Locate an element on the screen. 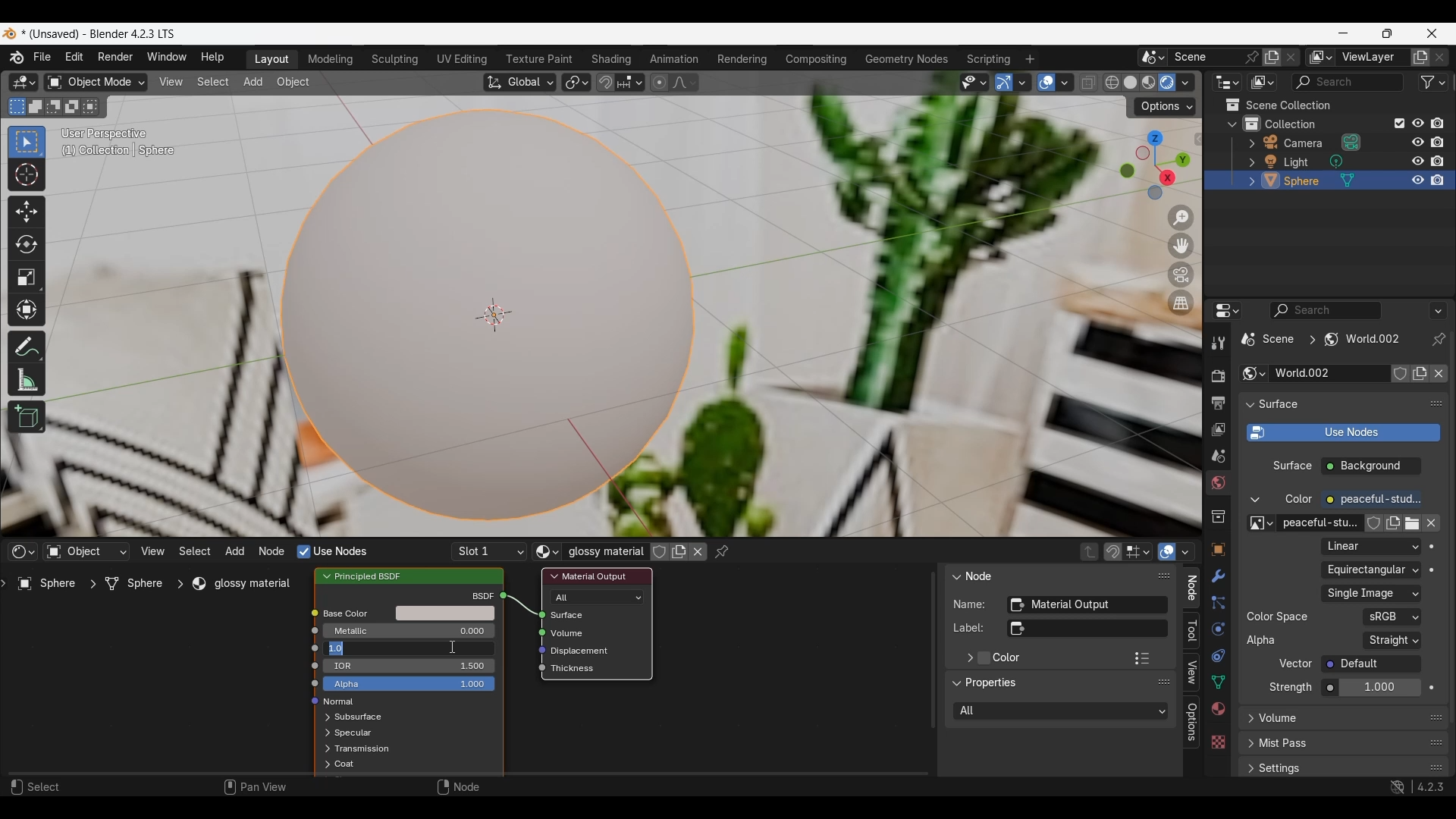 This screenshot has height=819, width=1456. About software is located at coordinates (16, 58).